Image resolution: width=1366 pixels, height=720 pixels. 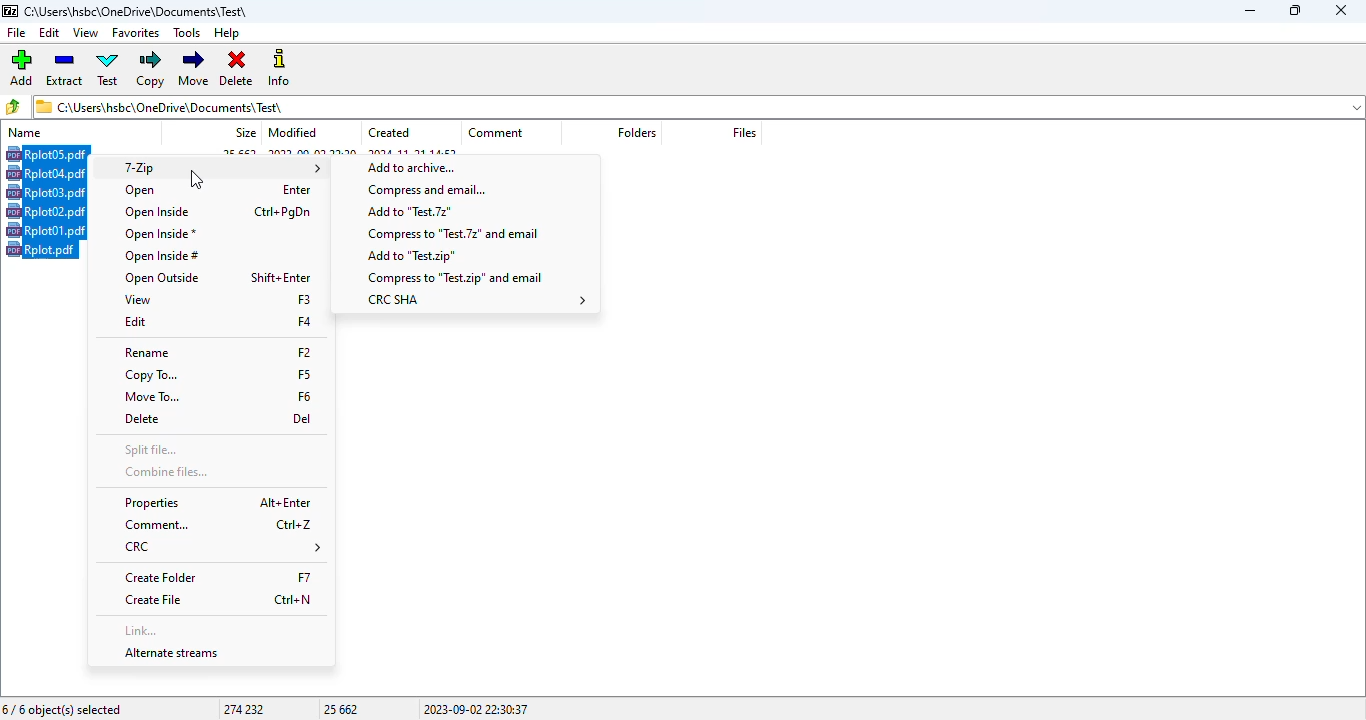 I want to click on open inside*, so click(x=161, y=234).